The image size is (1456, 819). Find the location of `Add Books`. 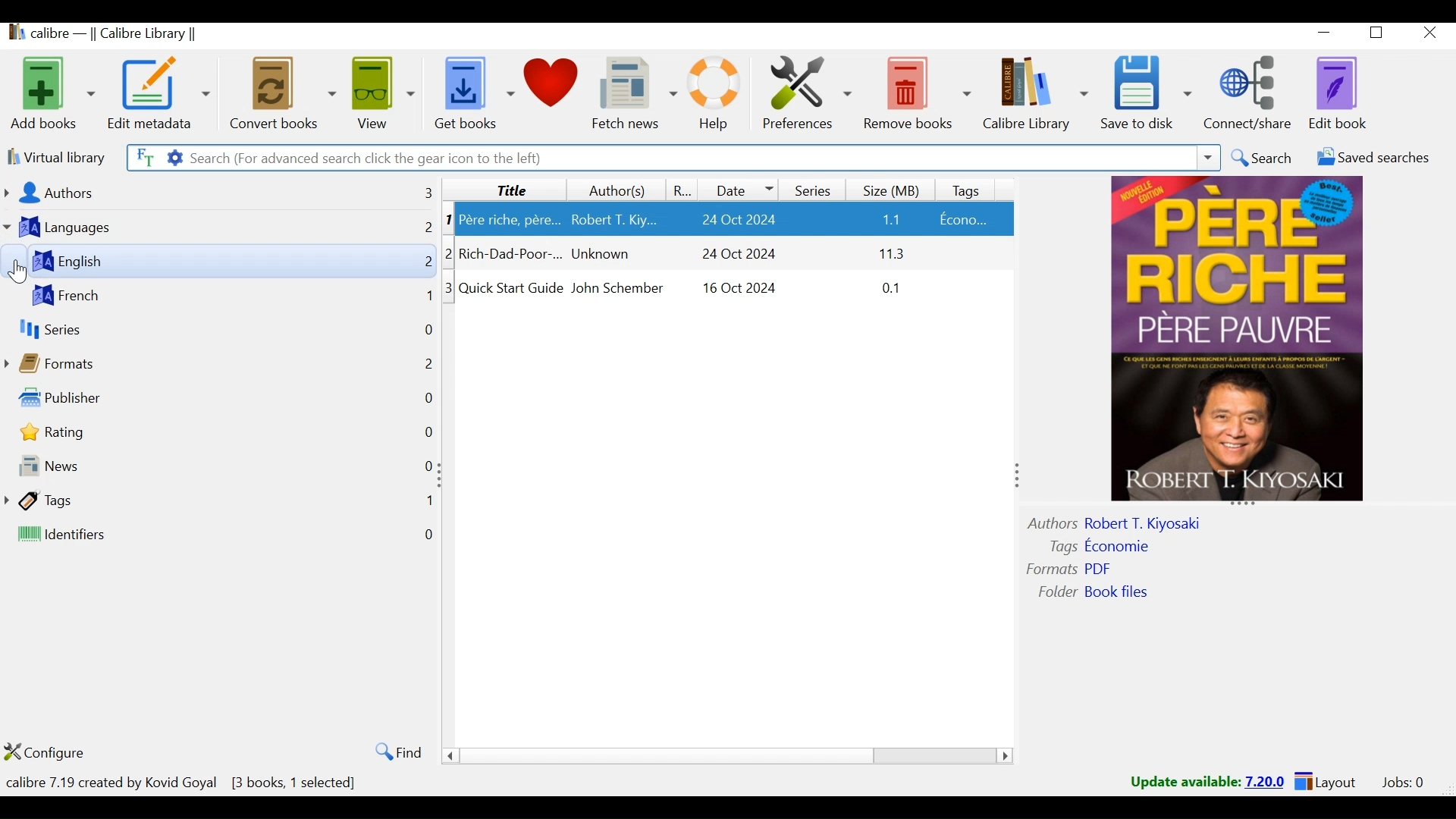

Add Books is located at coordinates (52, 92).